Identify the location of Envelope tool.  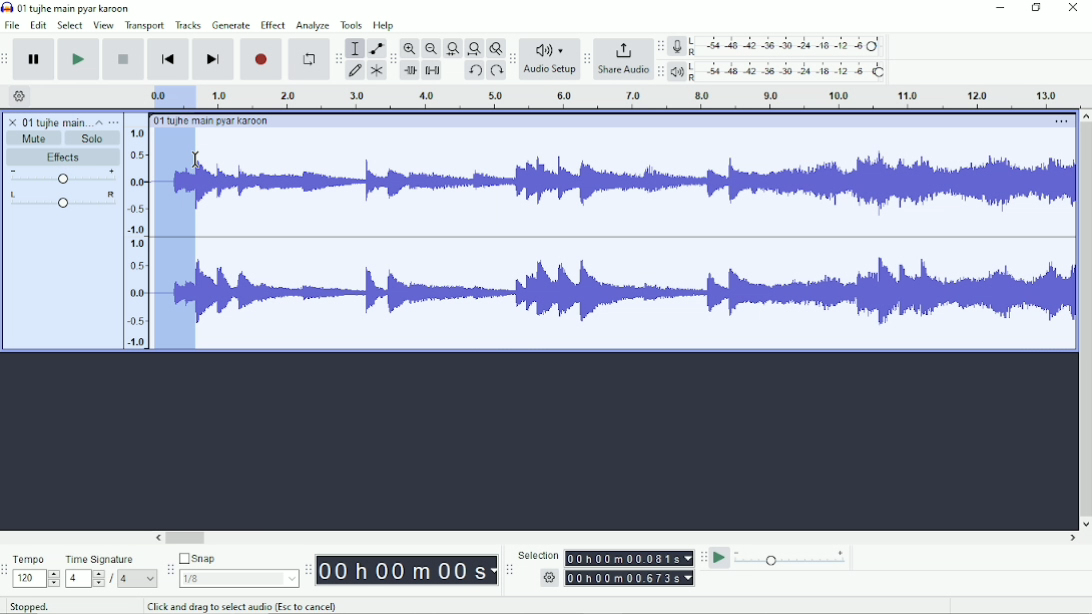
(375, 49).